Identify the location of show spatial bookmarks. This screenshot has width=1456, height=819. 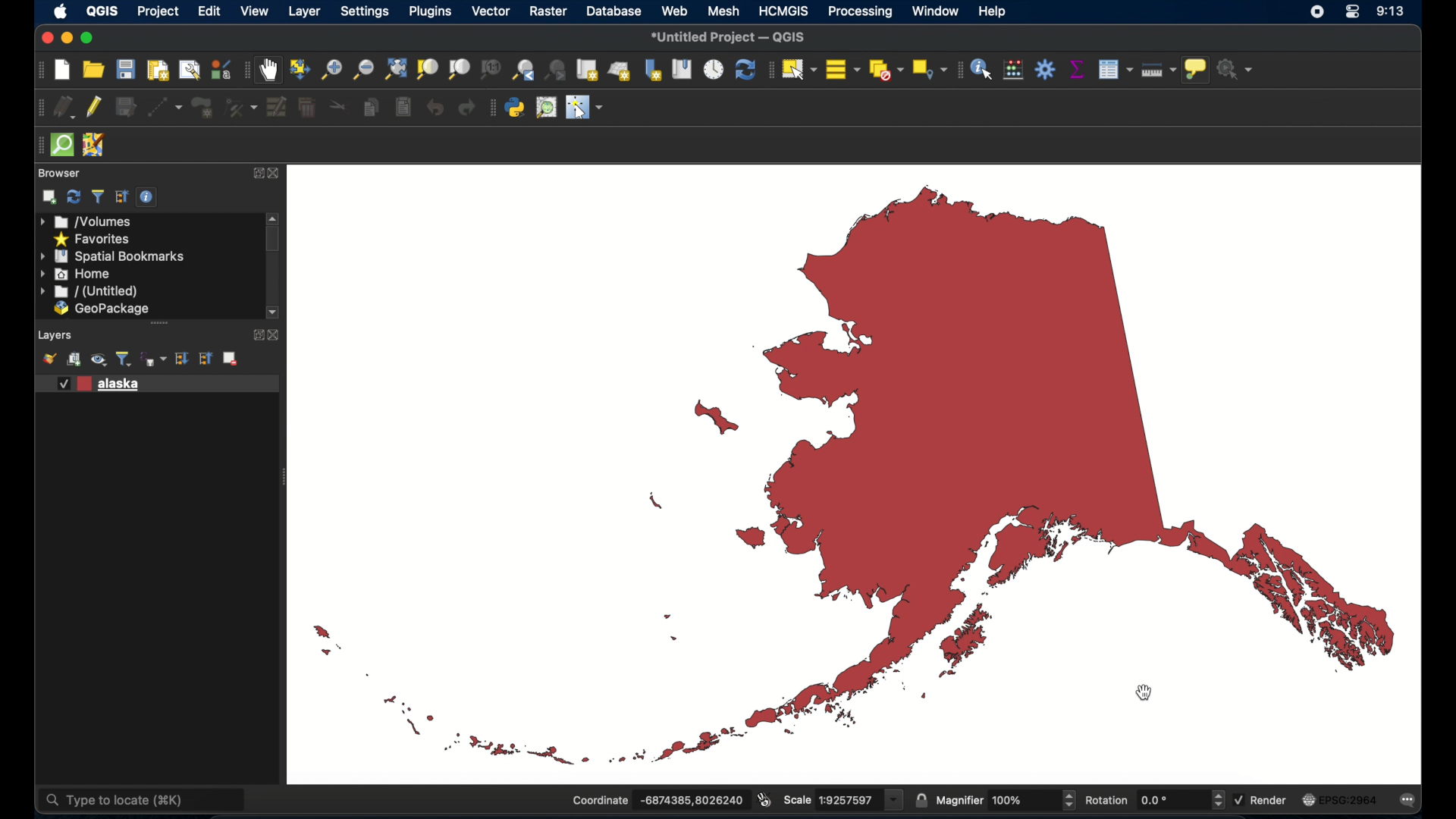
(681, 68).